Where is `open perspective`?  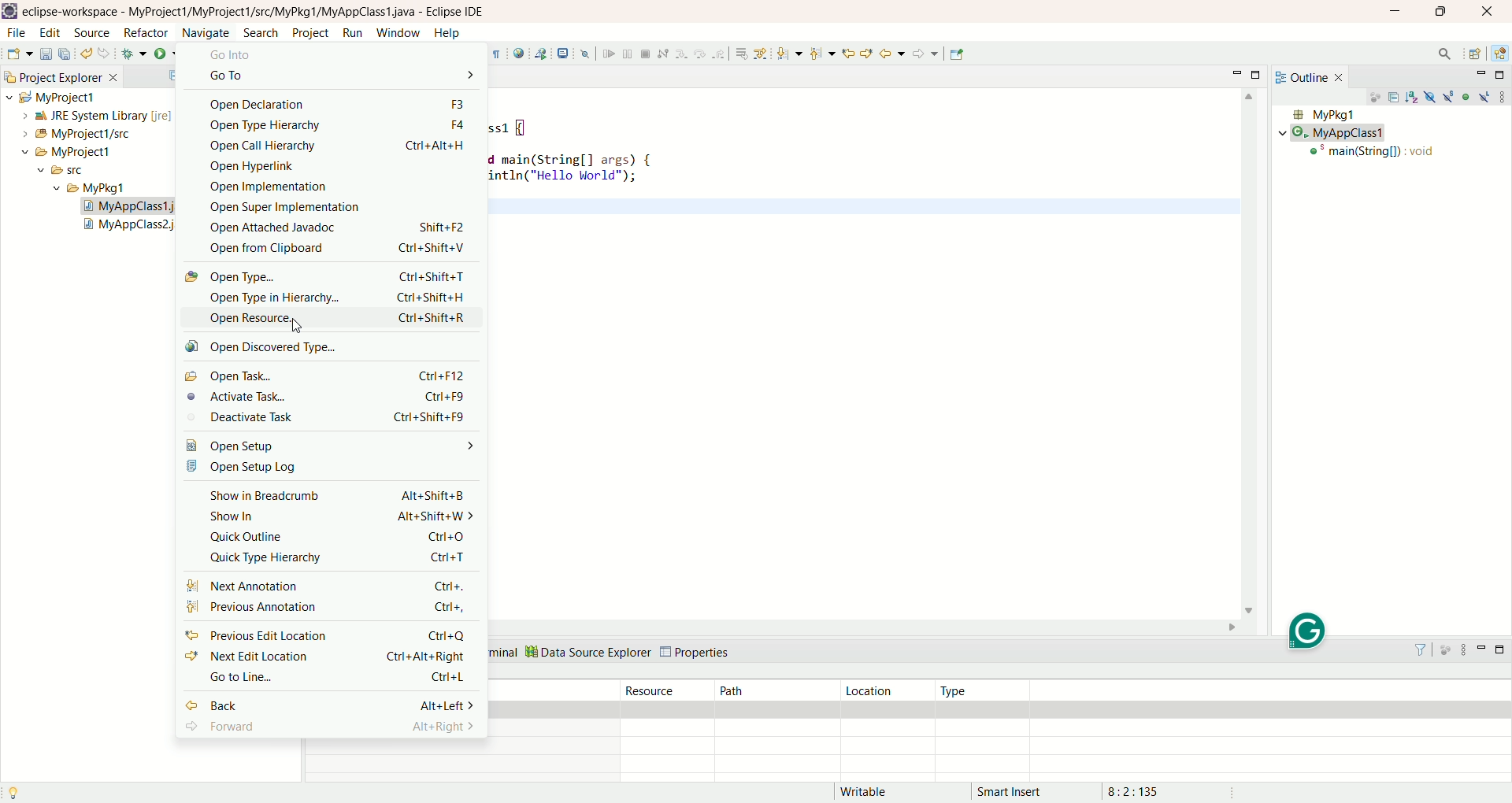 open perspective is located at coordinates (1475, 54).